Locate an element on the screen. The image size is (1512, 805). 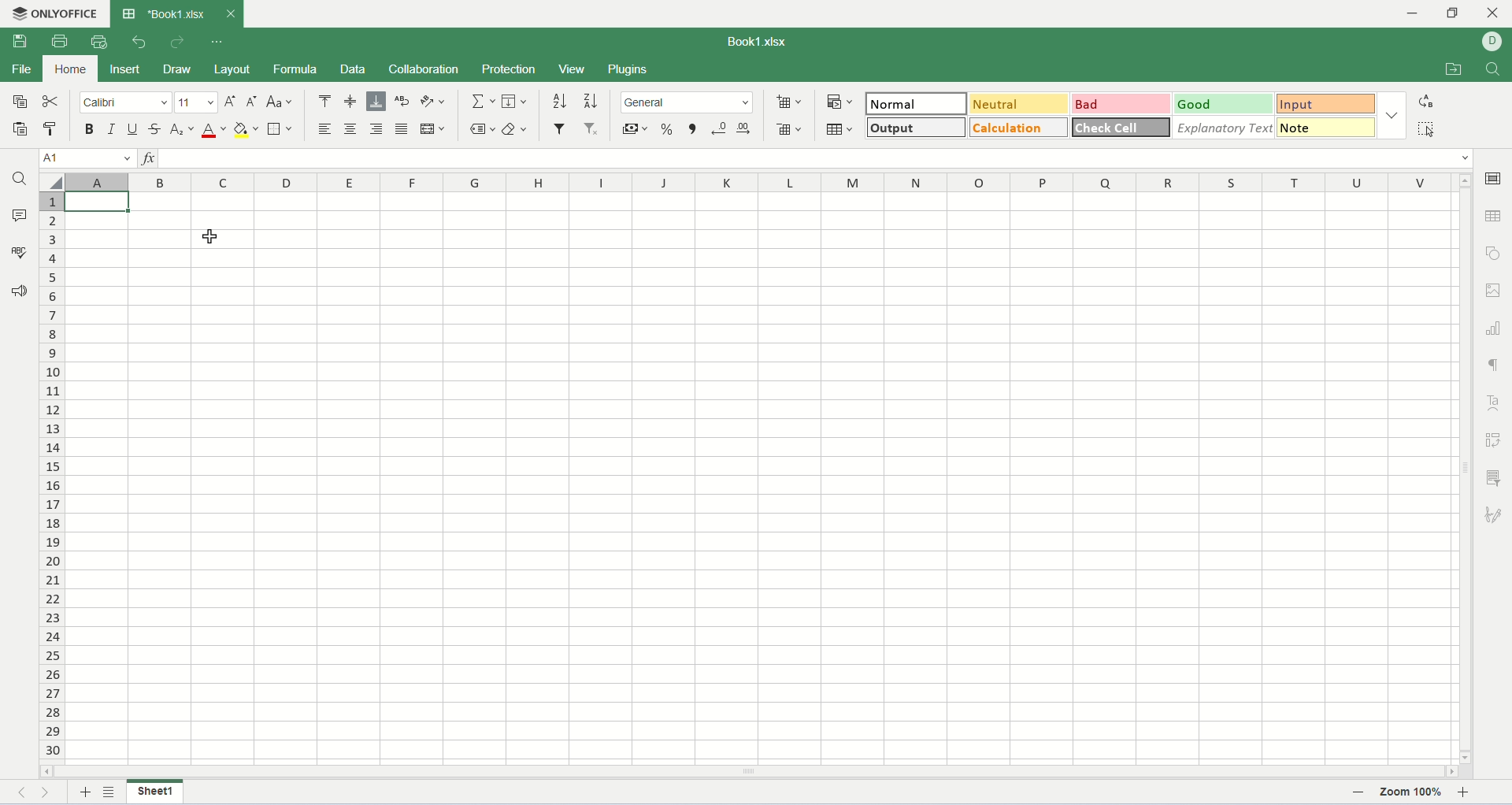
save is located at coordinates (24, 42).